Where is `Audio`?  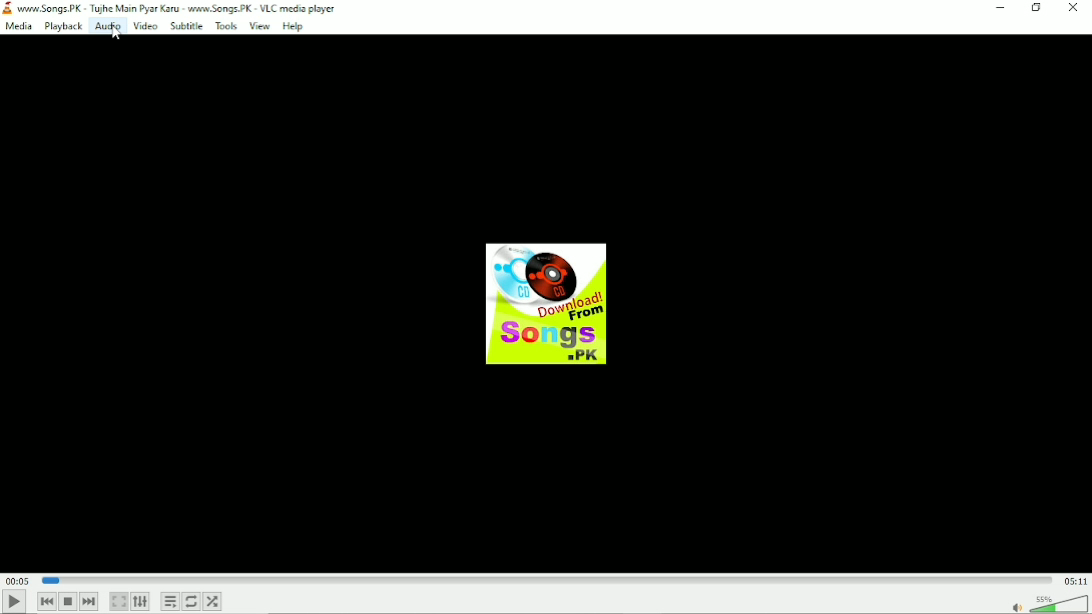
Audio is located at coordinates (107, 26).